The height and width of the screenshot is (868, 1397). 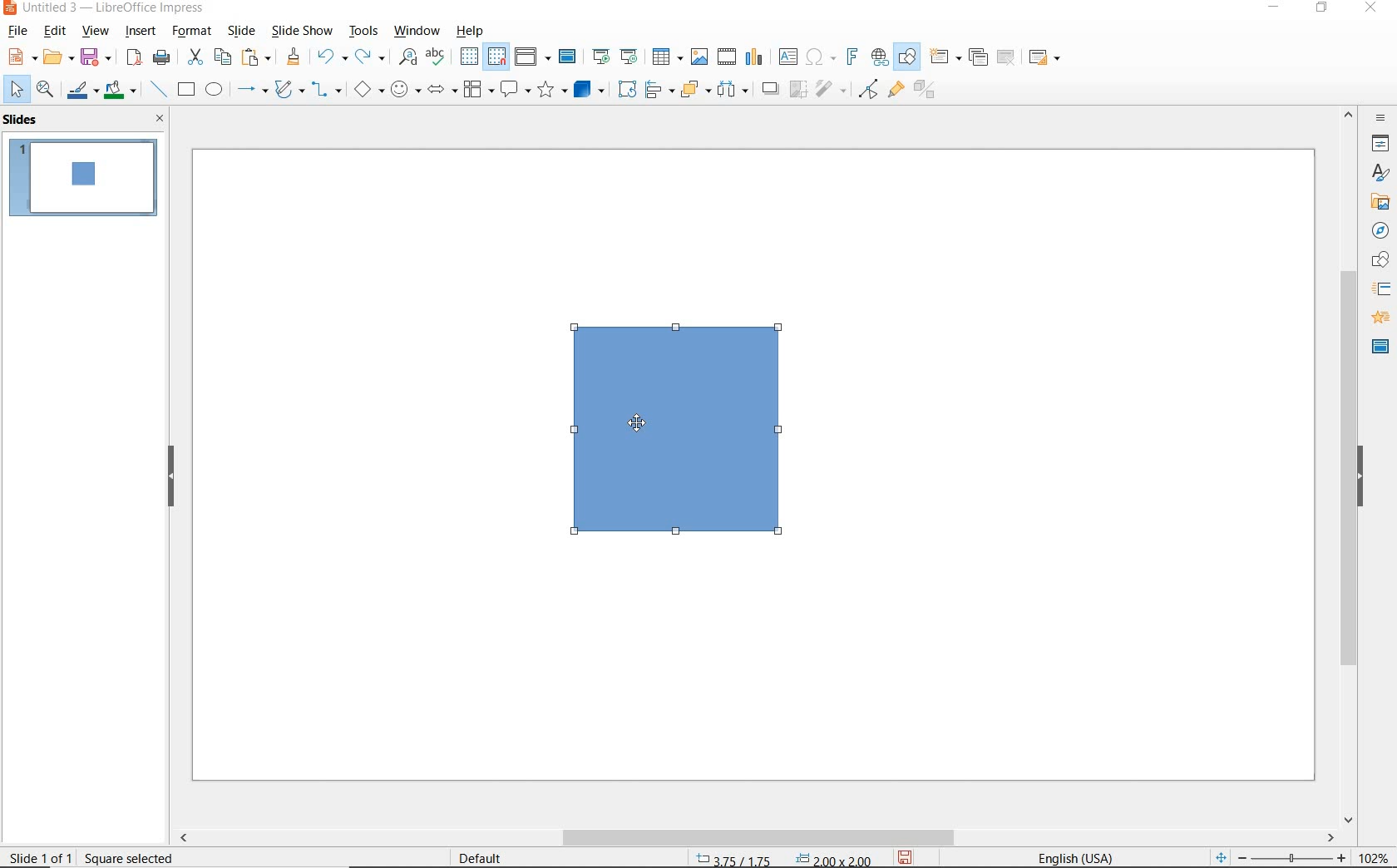 I want to click on undo, so click(x=330, y=57).